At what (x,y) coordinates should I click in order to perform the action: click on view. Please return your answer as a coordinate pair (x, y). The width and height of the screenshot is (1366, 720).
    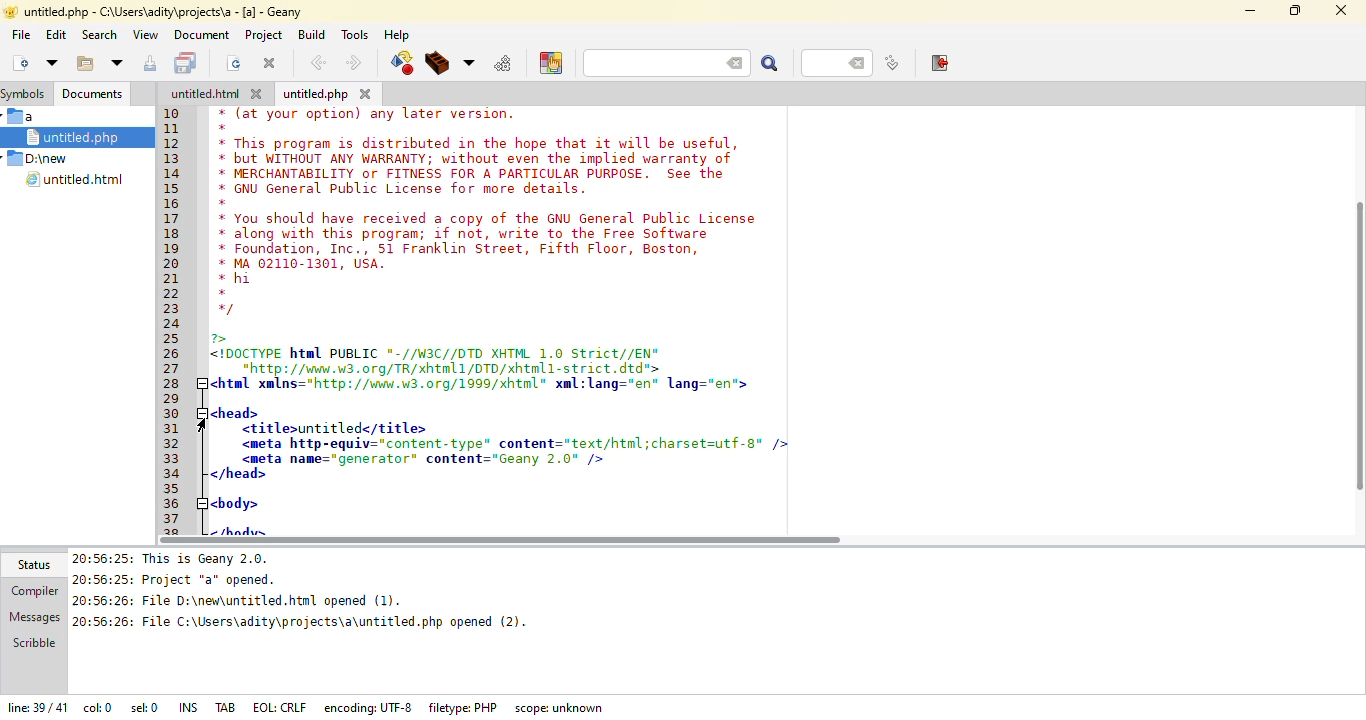
    Looking at the image, I should click on (147, 35).